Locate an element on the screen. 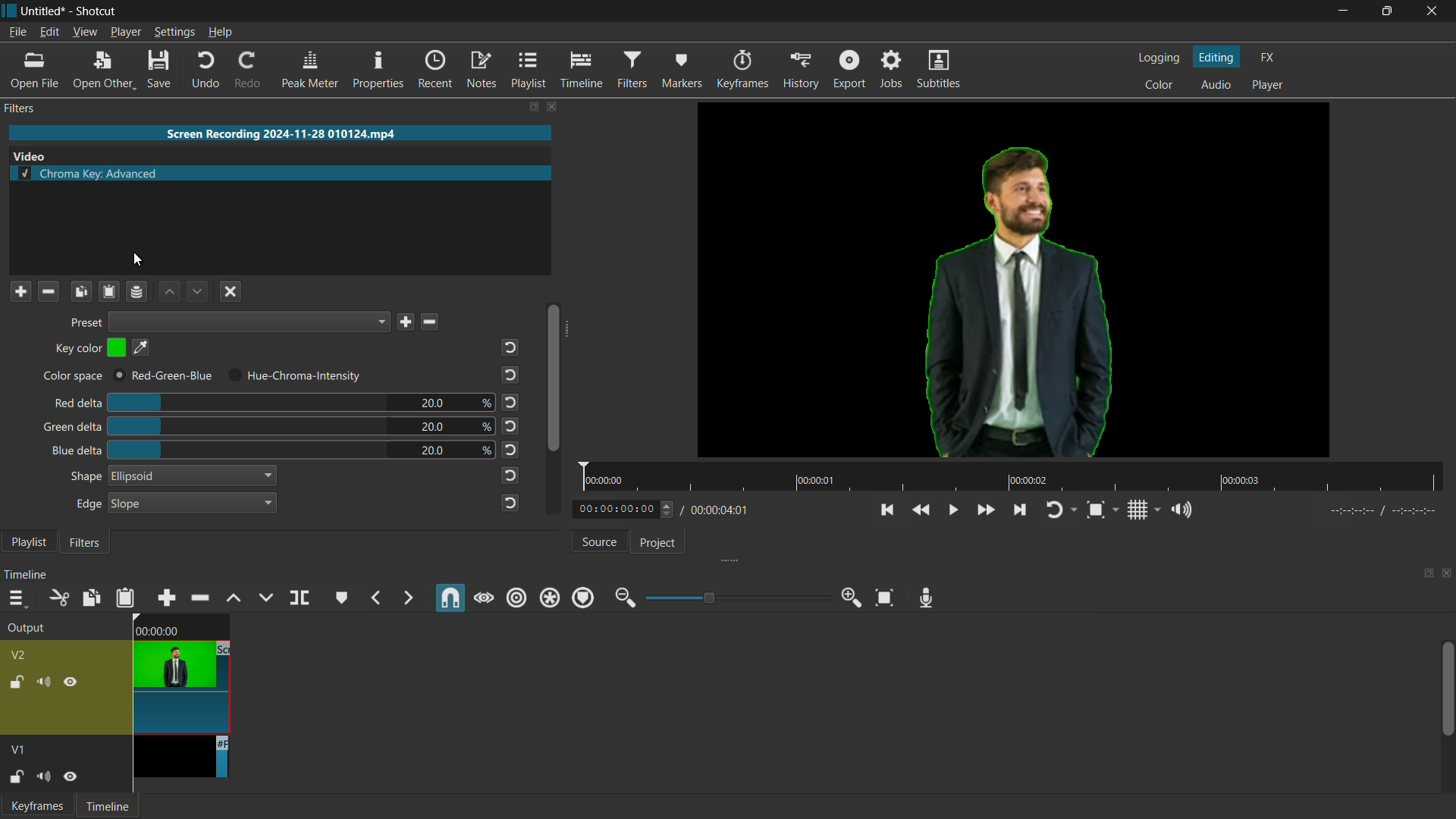 The width and height of the screenshot is (1456, 819). % is located at coordinates (485, 453).